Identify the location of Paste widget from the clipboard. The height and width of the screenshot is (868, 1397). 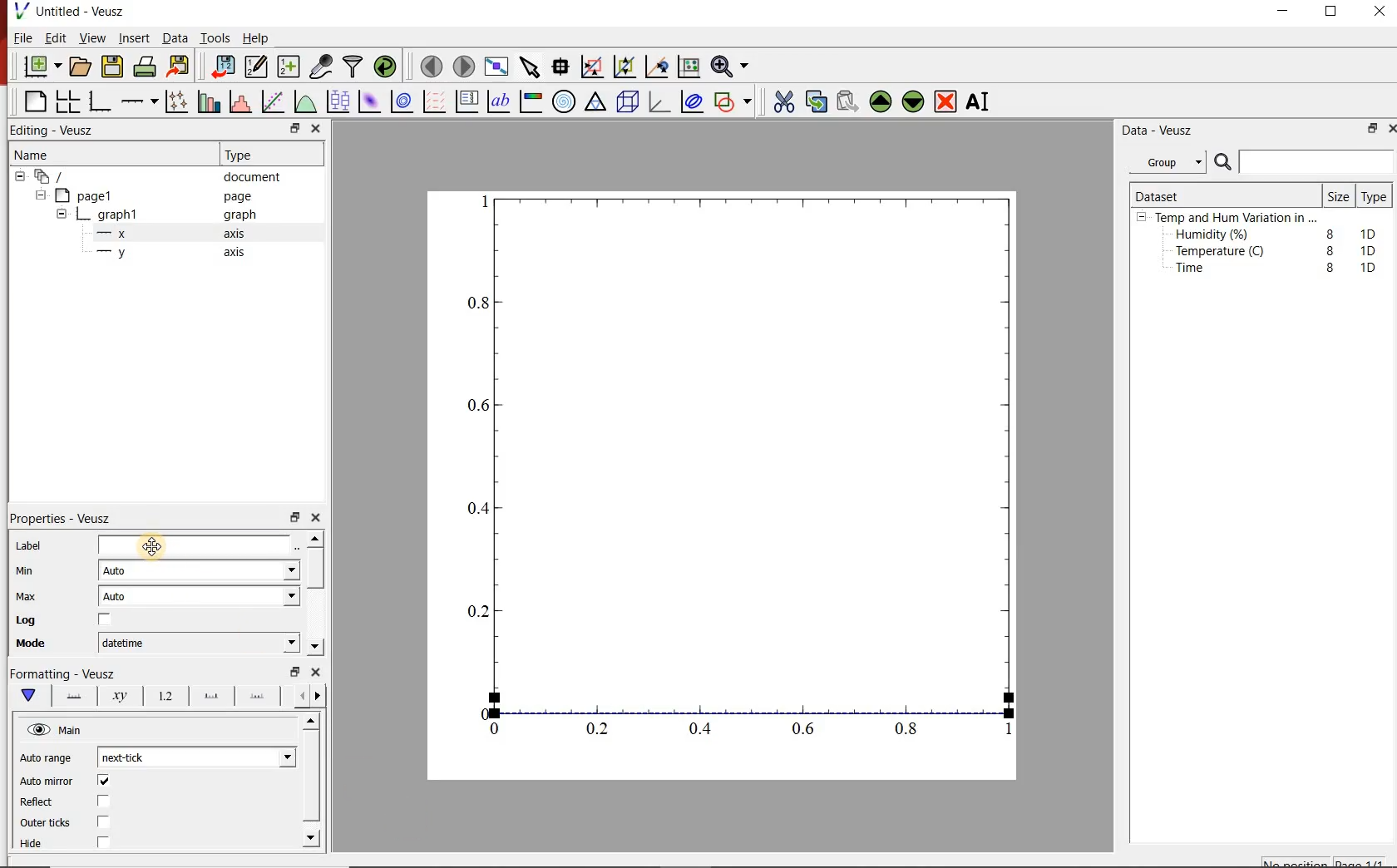
(848, 101).